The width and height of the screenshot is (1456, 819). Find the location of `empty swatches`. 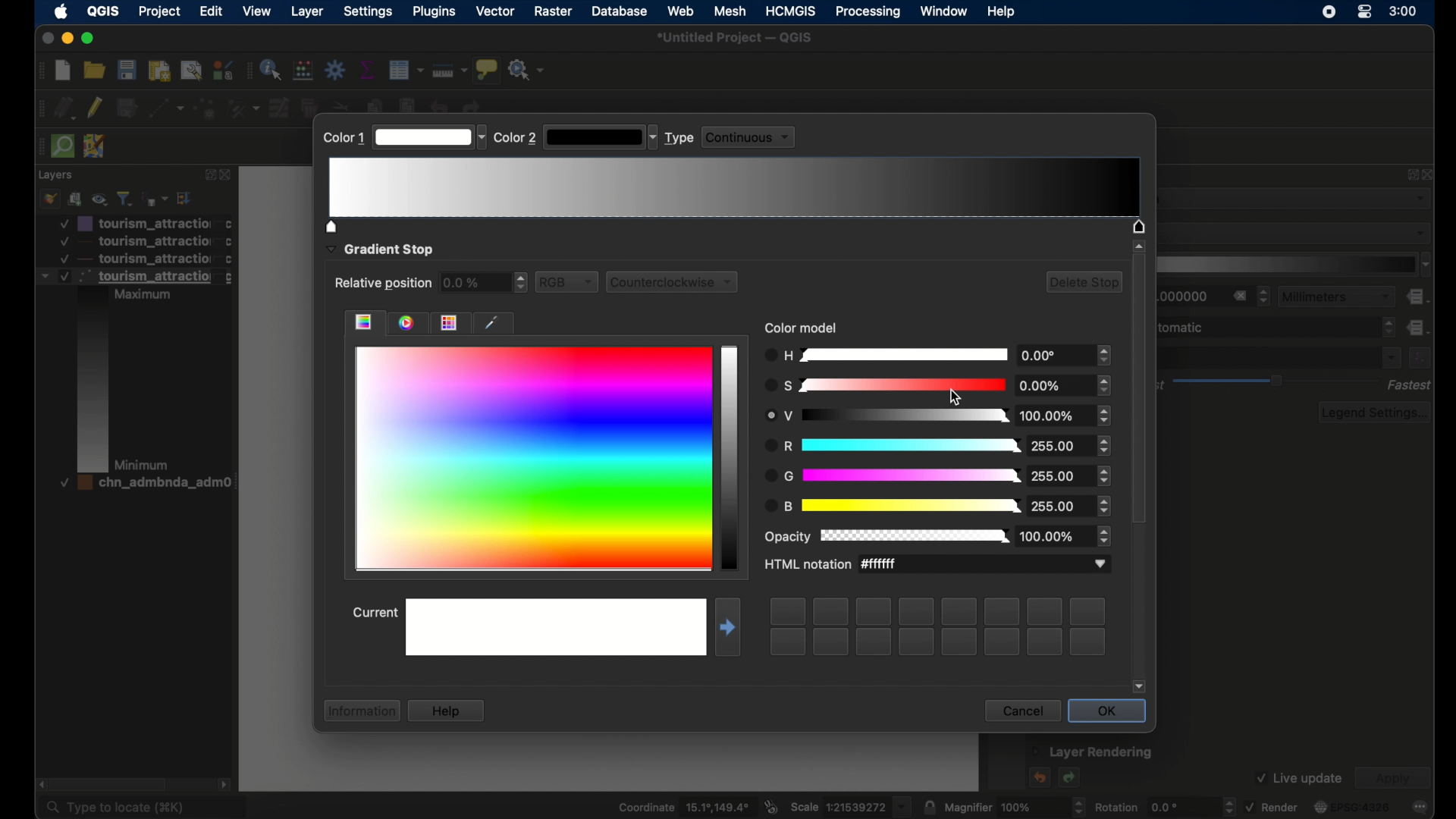

empty swatches is located at coordinates (939, 626).